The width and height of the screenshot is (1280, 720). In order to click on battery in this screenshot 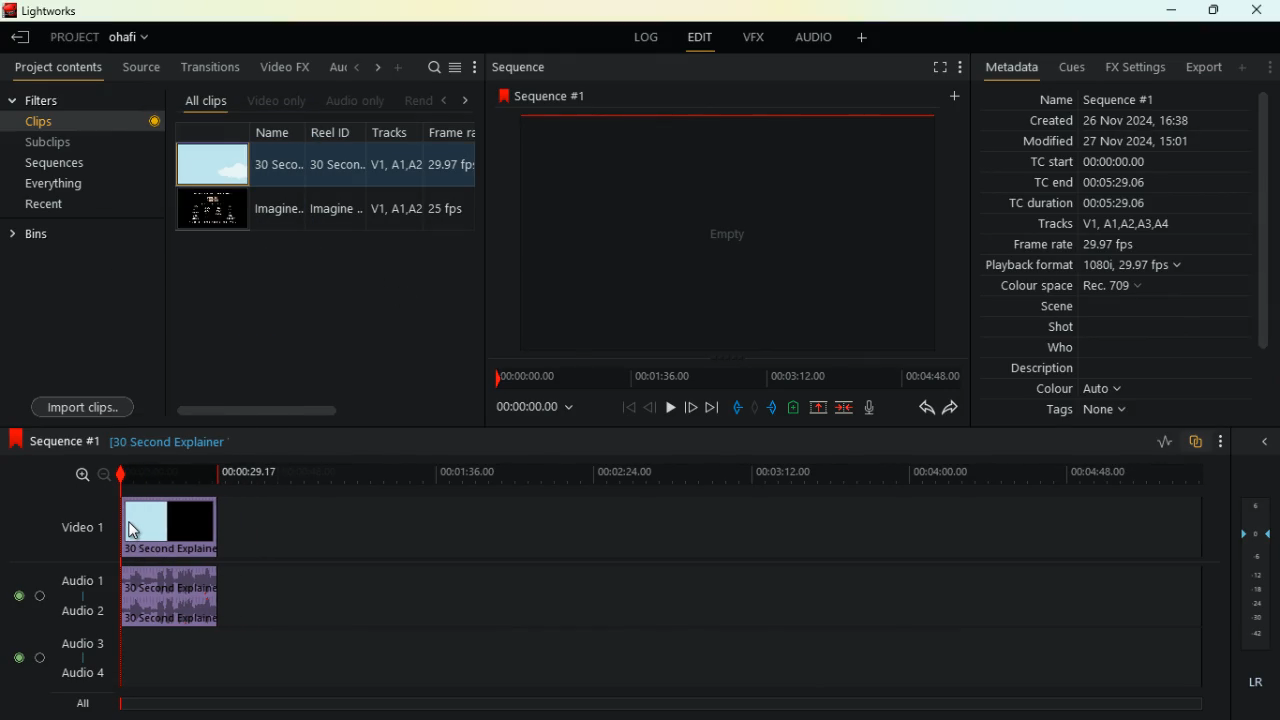, I will do `click(792, 408)`.